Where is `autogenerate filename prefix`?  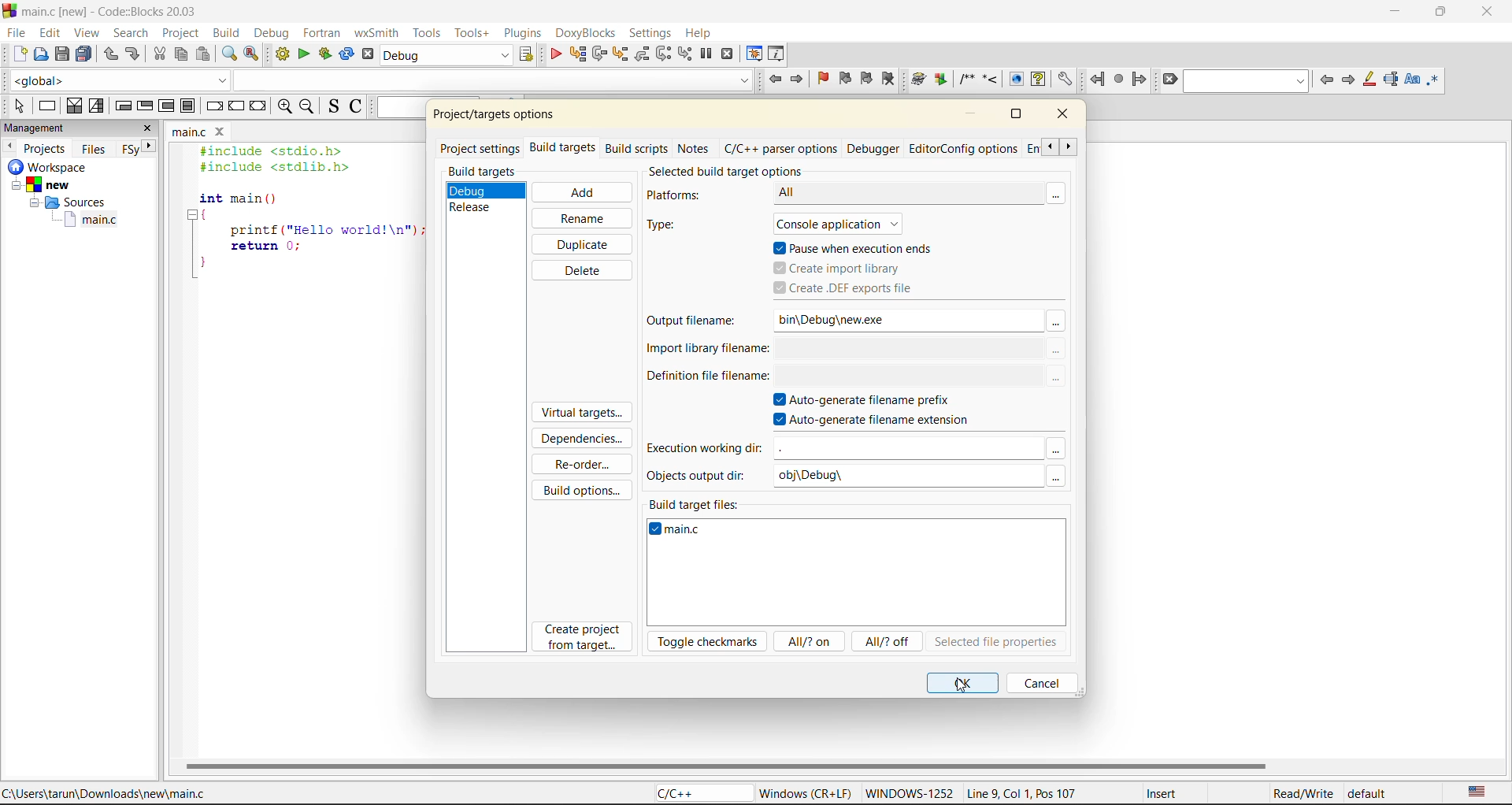 autogenerate filename prefix is located at coordinates (872, 401).